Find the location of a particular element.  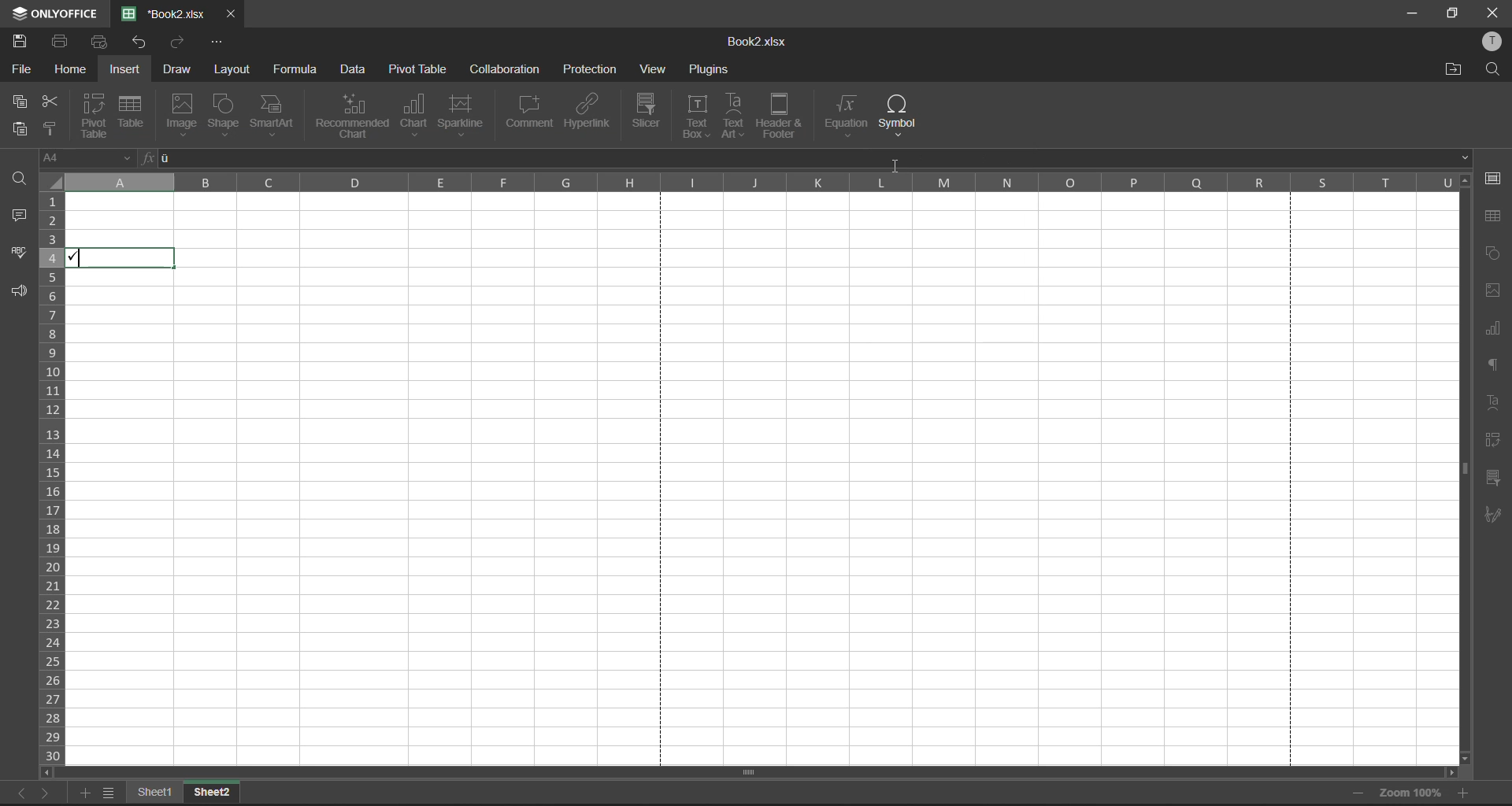

find is located at coordinates (1492, 69).